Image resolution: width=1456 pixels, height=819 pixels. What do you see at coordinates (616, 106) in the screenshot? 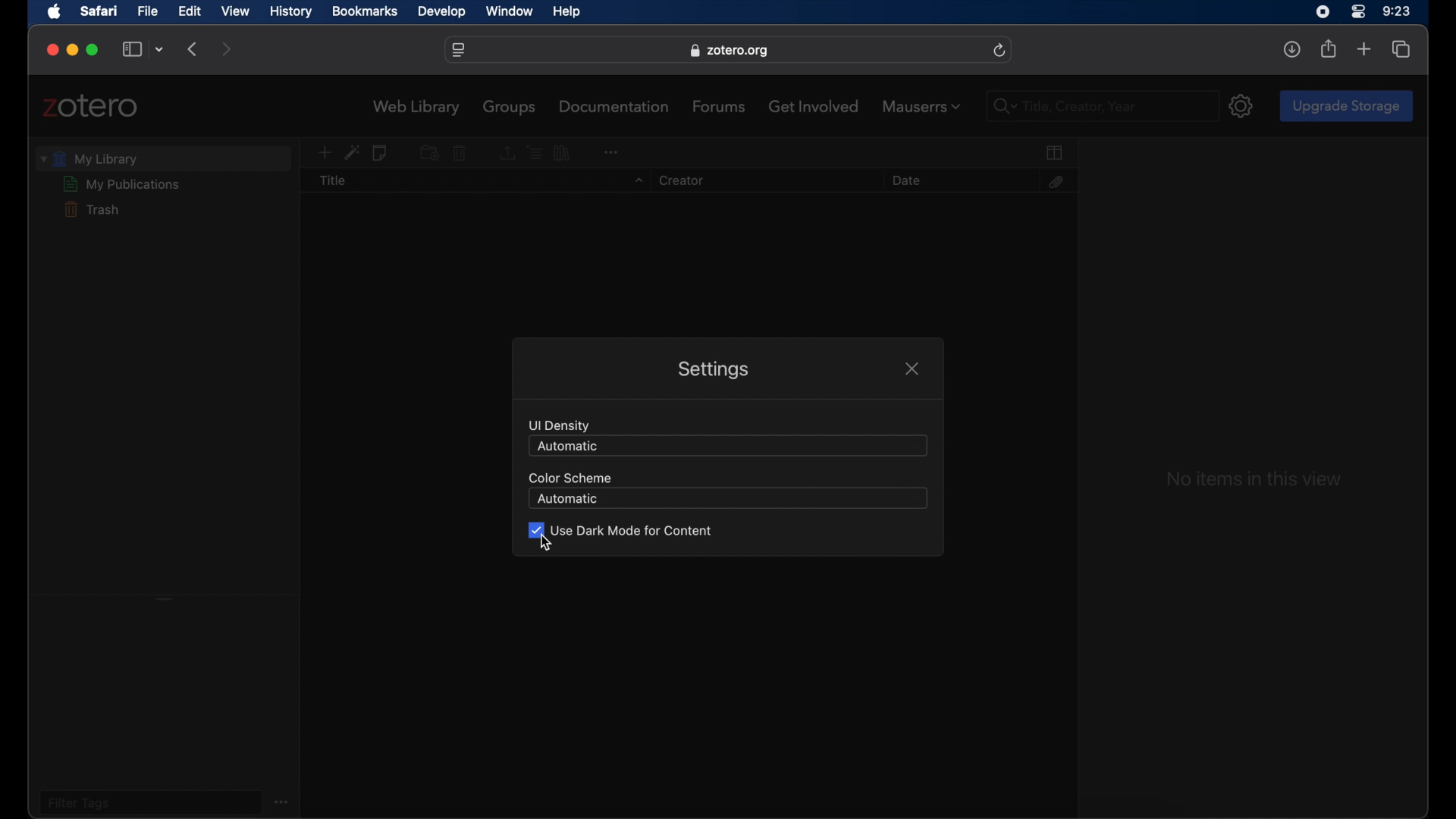
I see `documentation` at bounding box center [616, 106].